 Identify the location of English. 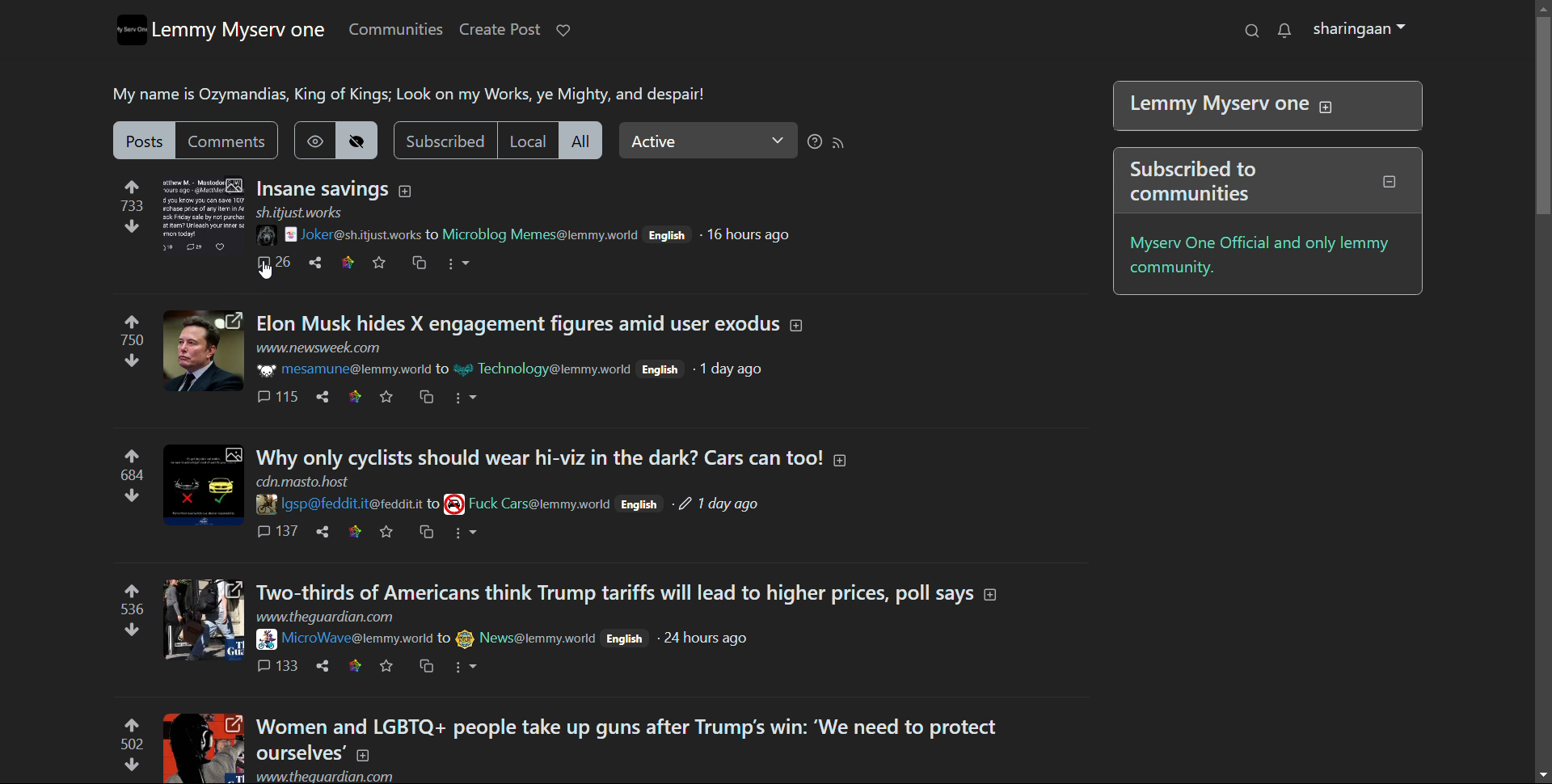
(624, 638).